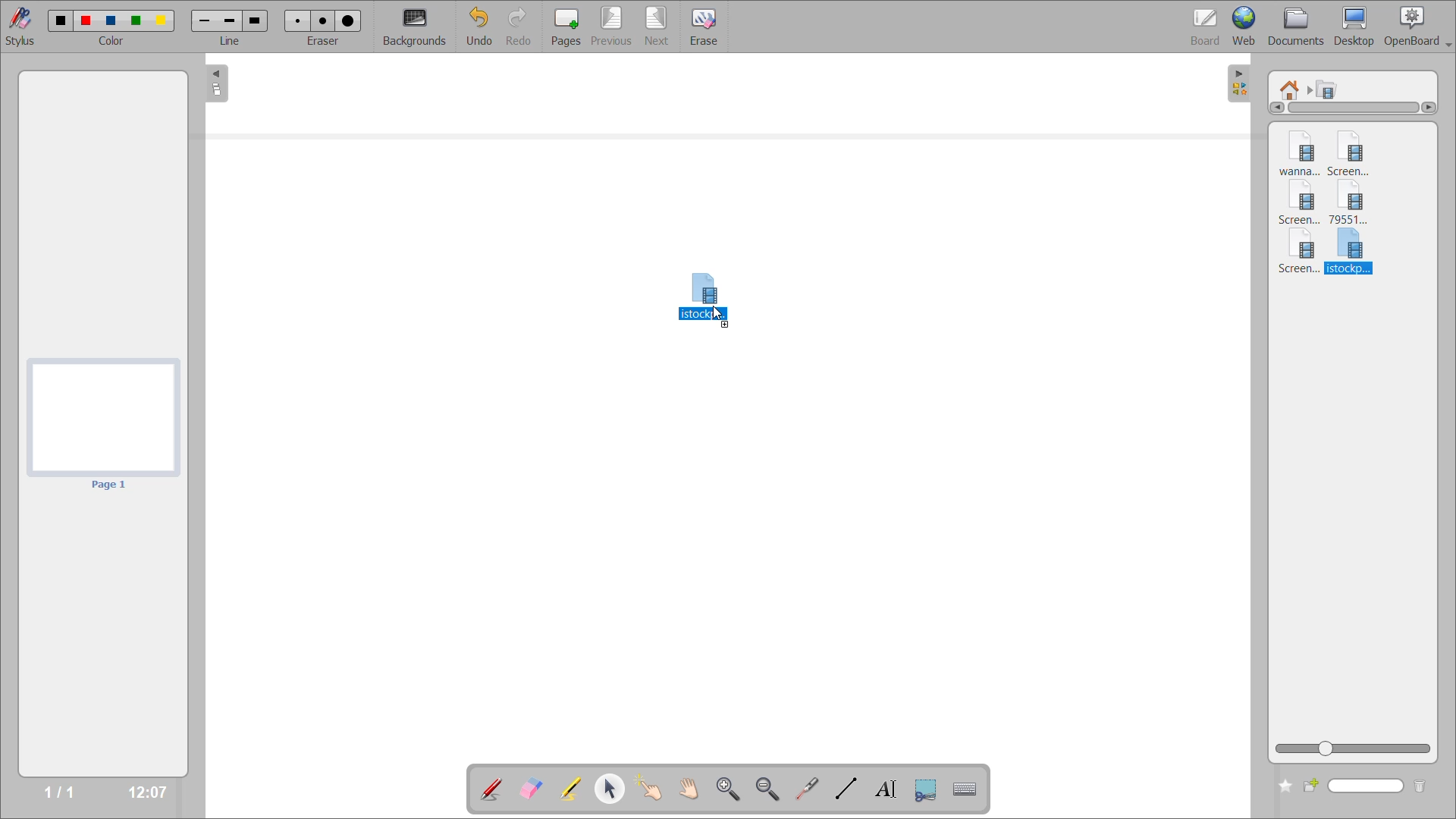  I want to click on capture part of screen, so click(924, 789).